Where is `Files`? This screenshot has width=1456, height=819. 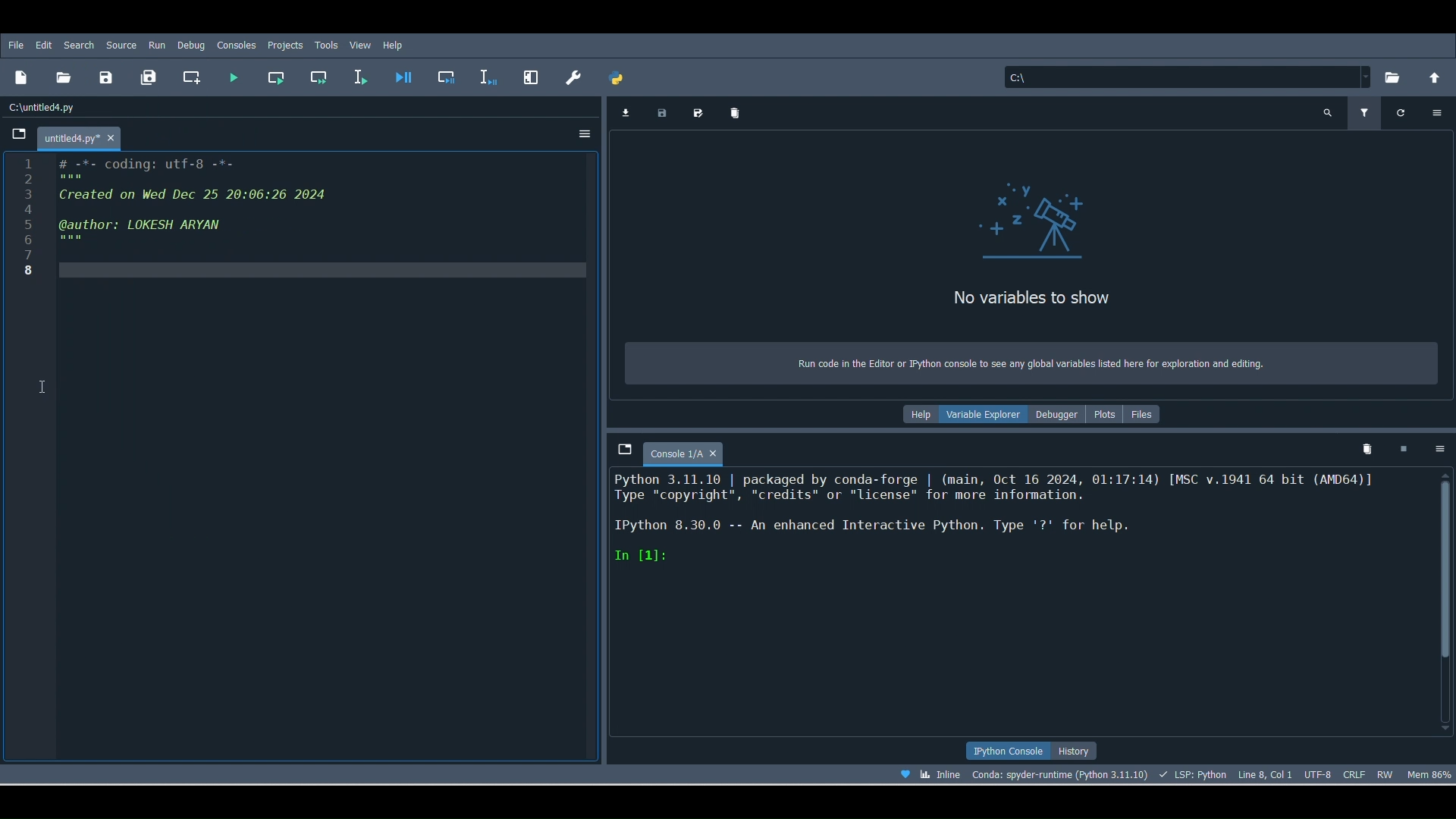
Files is located at coordinates (1150, 413).